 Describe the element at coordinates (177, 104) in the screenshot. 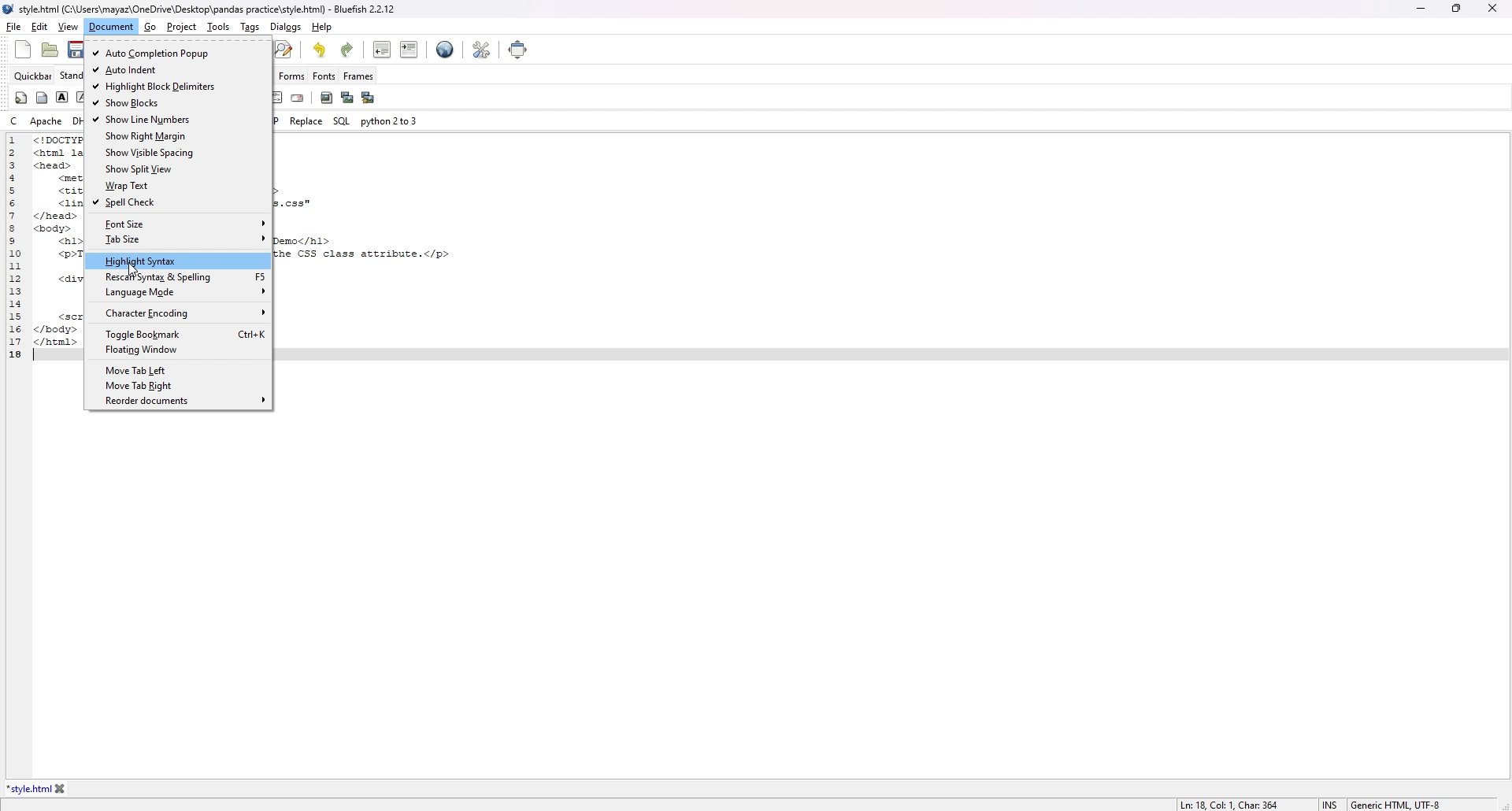

I see `show blocks` at that location.